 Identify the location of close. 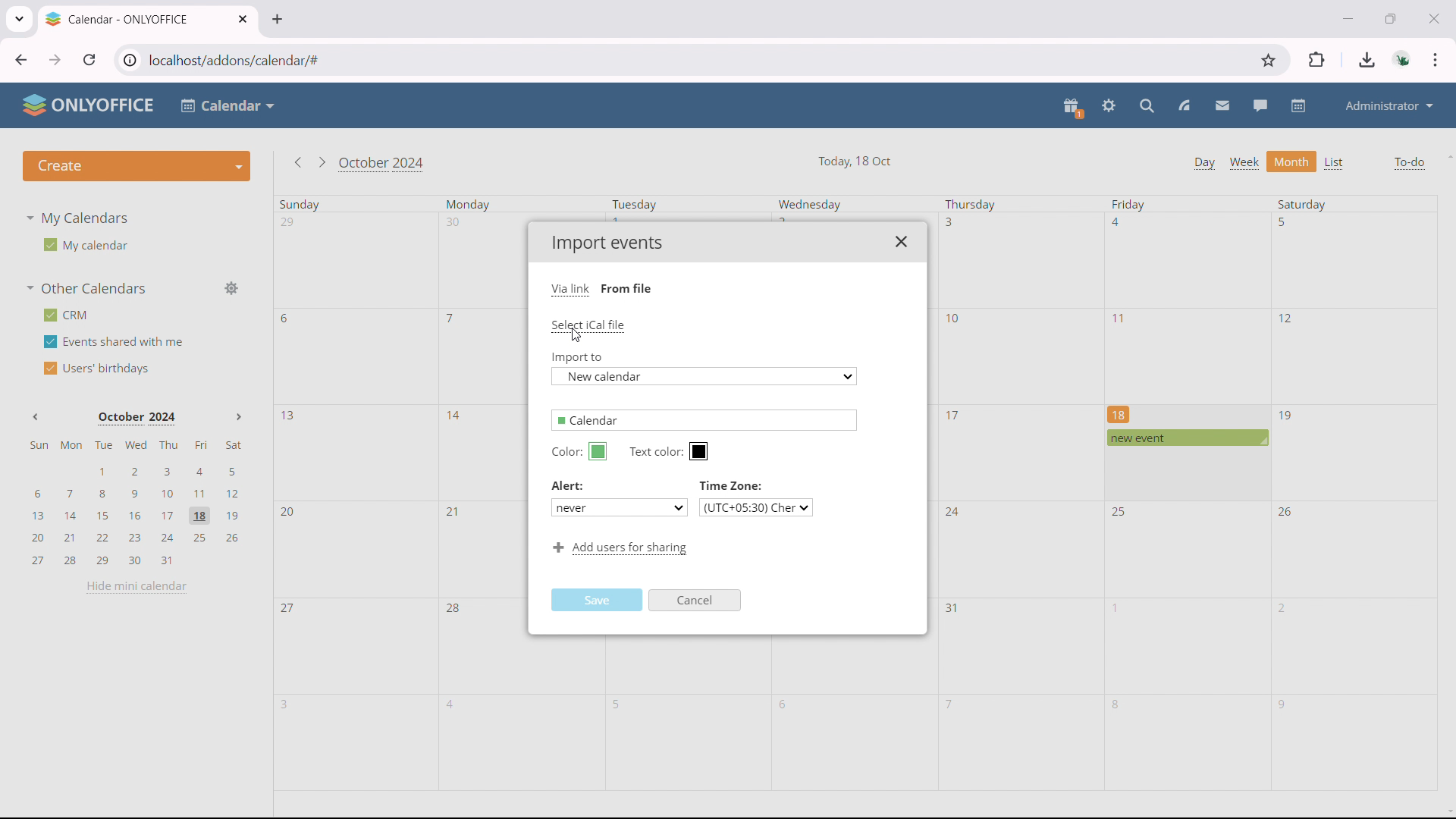
(902, 241).